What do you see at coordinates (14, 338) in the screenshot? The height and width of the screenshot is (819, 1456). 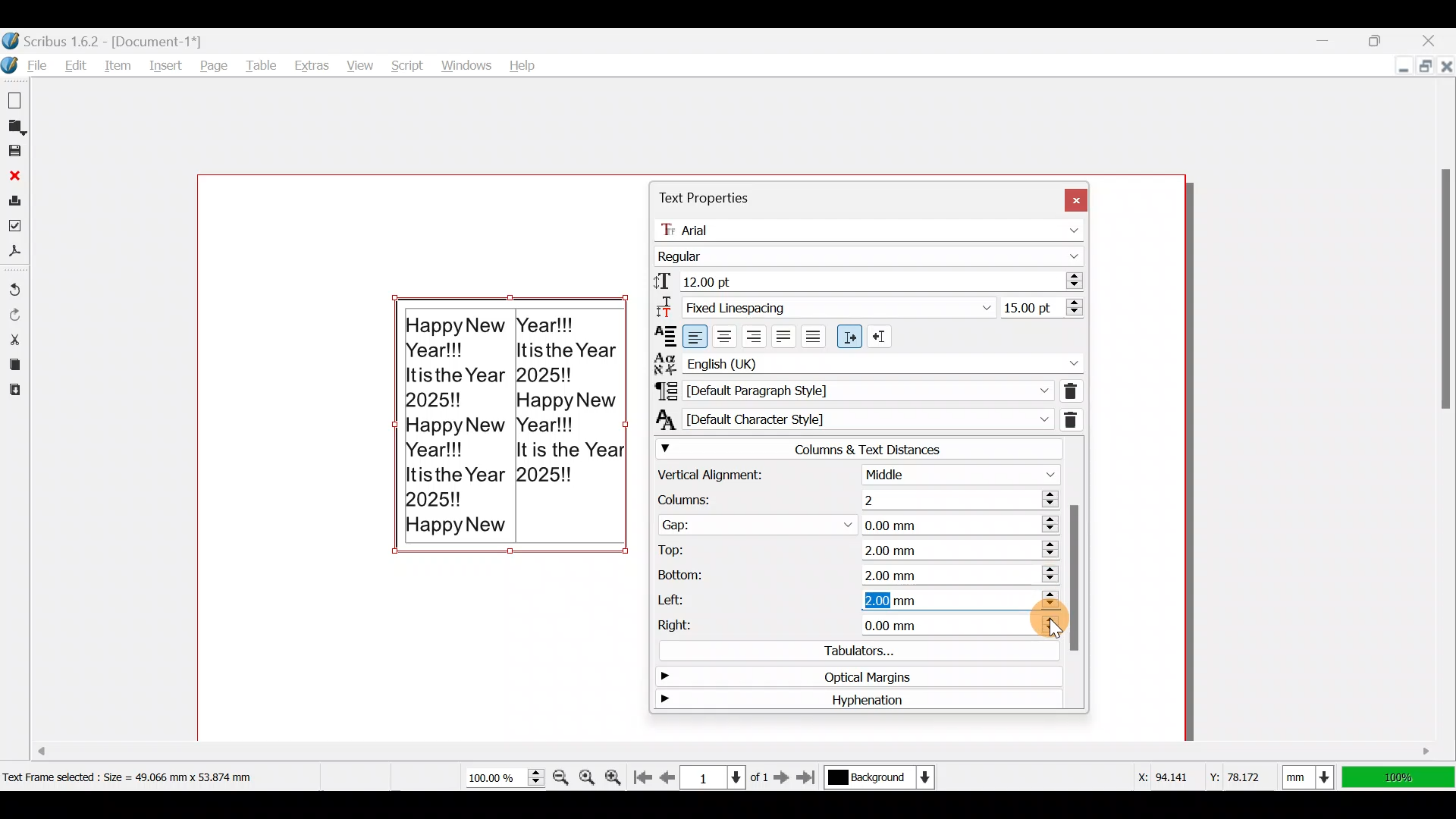 I see `Cut` at bounding box center [14, 338].